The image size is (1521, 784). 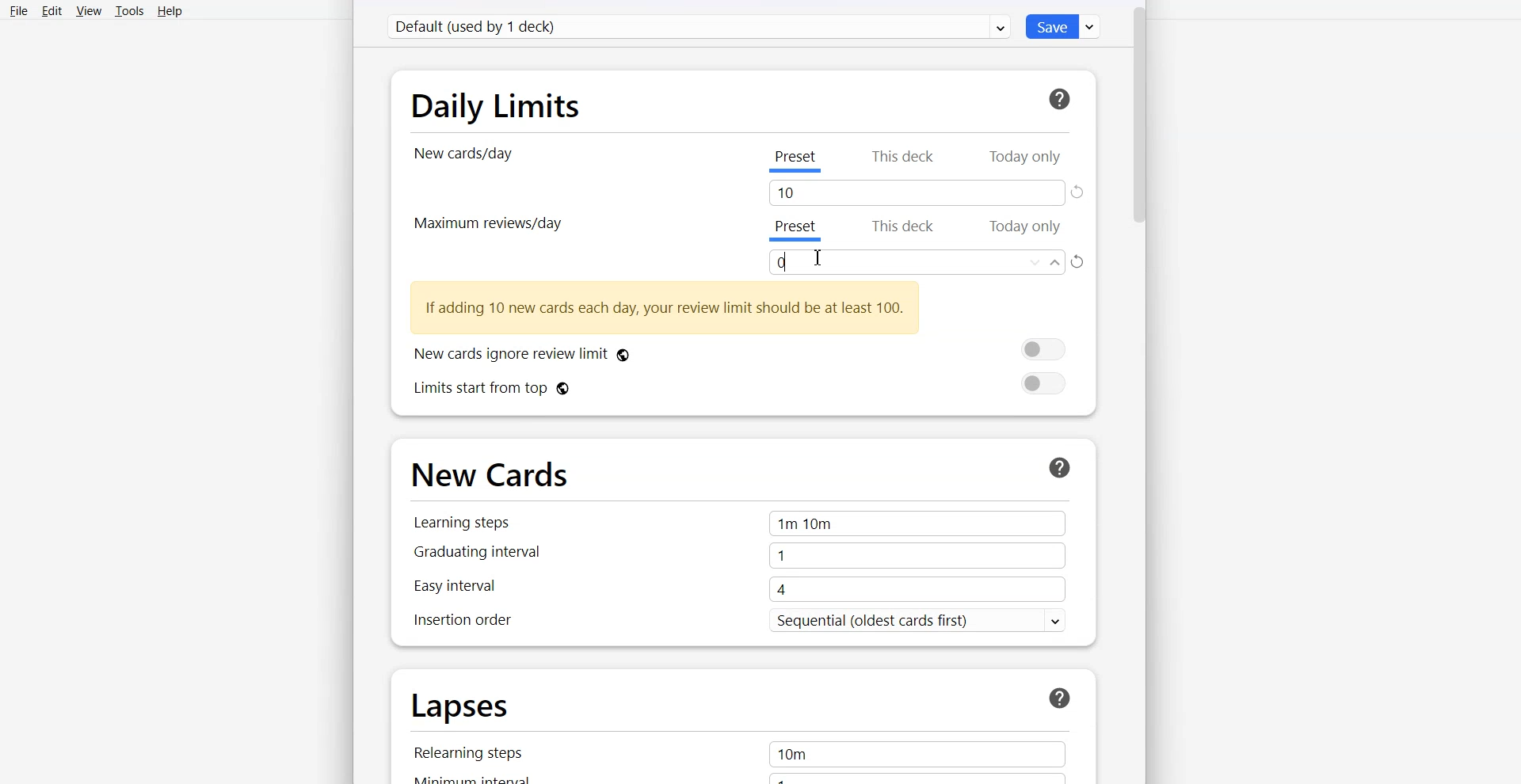 What do you see at coordinates (741, 753) in the screenshot?
I see `Relearning steps` at bounding box center [741, 753].